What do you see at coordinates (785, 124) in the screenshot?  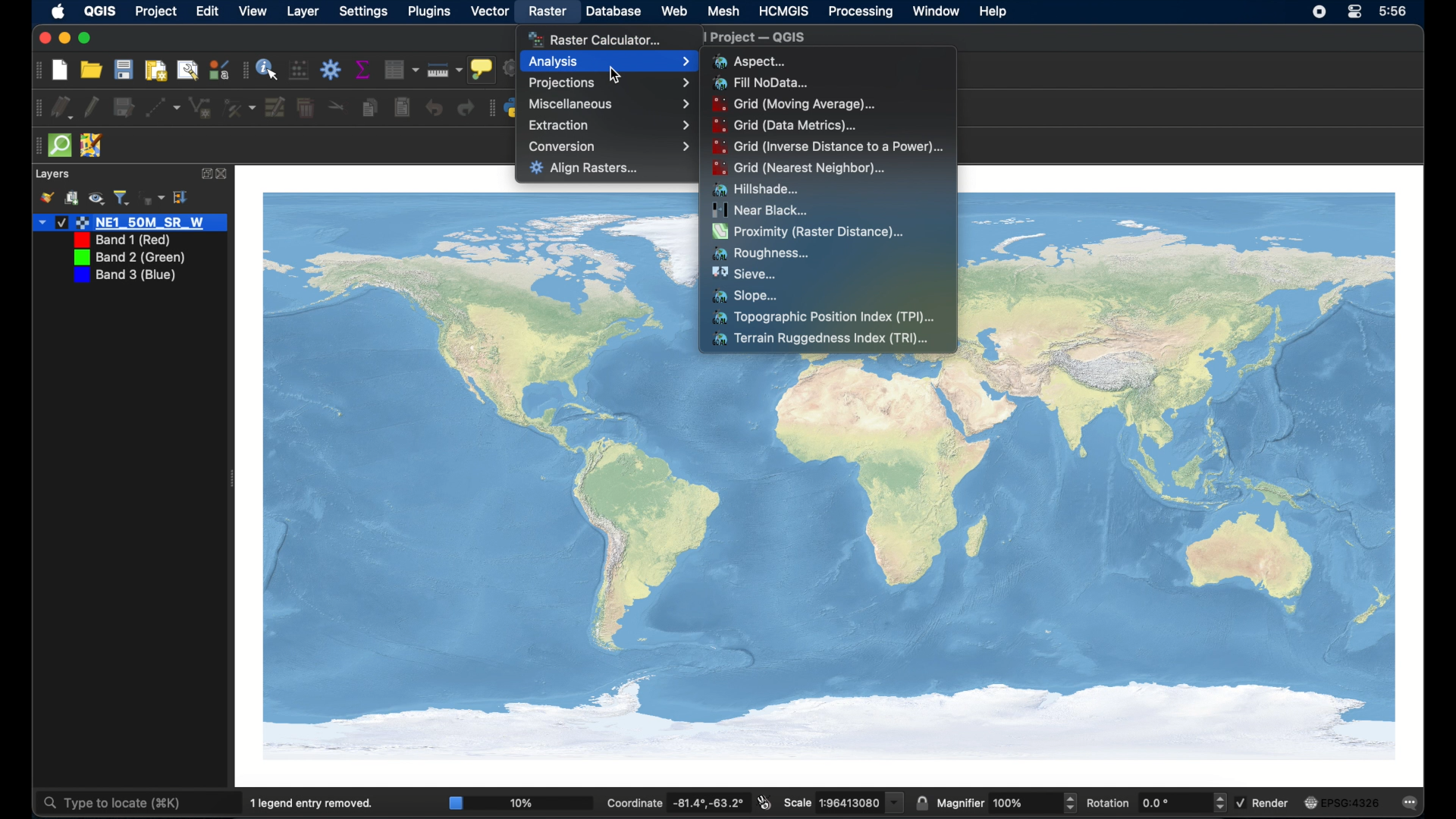 I see `grid (data metrics)` at bounding box center [785, 124].